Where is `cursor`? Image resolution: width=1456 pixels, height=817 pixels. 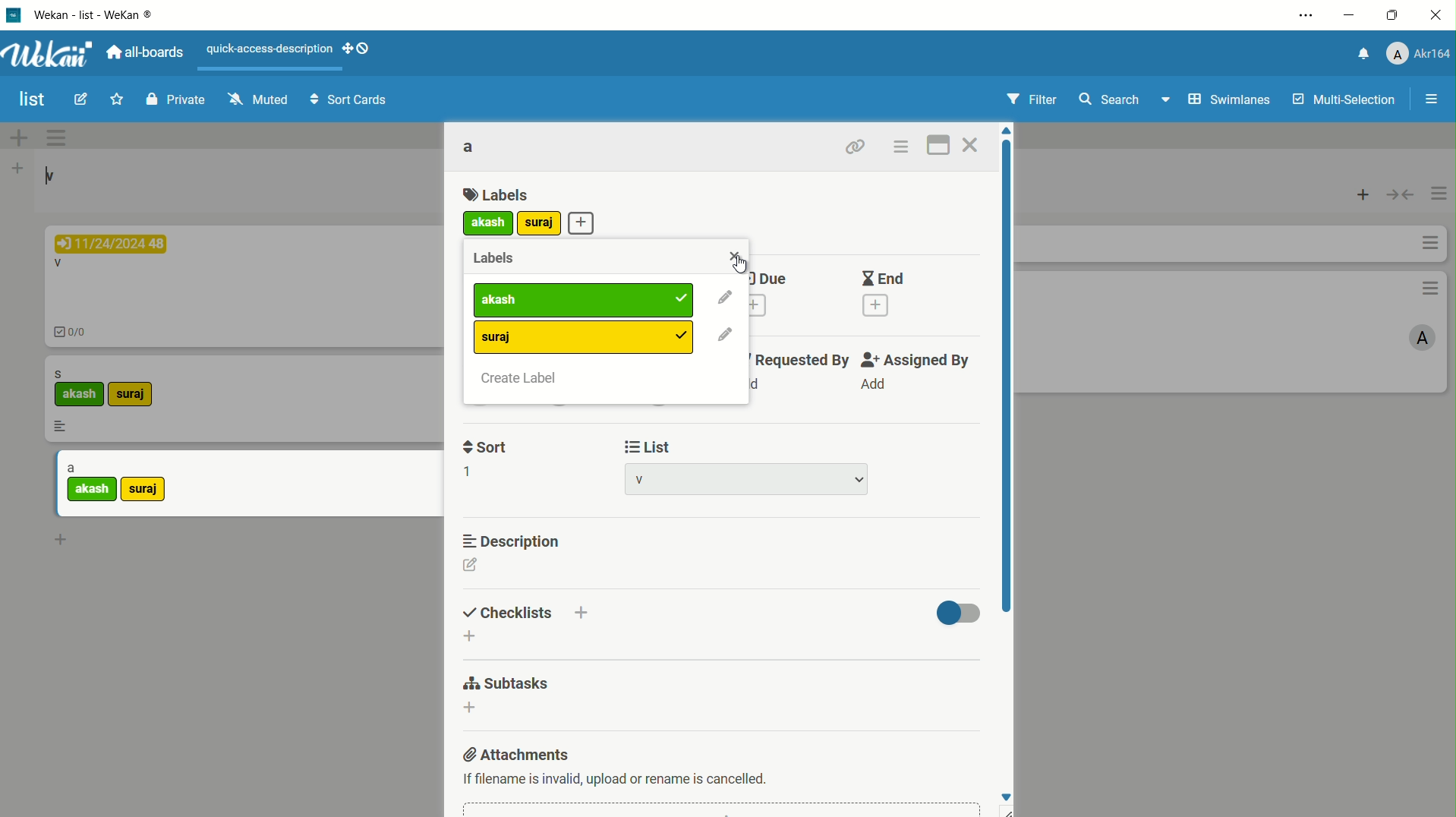
cursor is located at coordinates (739, 263).